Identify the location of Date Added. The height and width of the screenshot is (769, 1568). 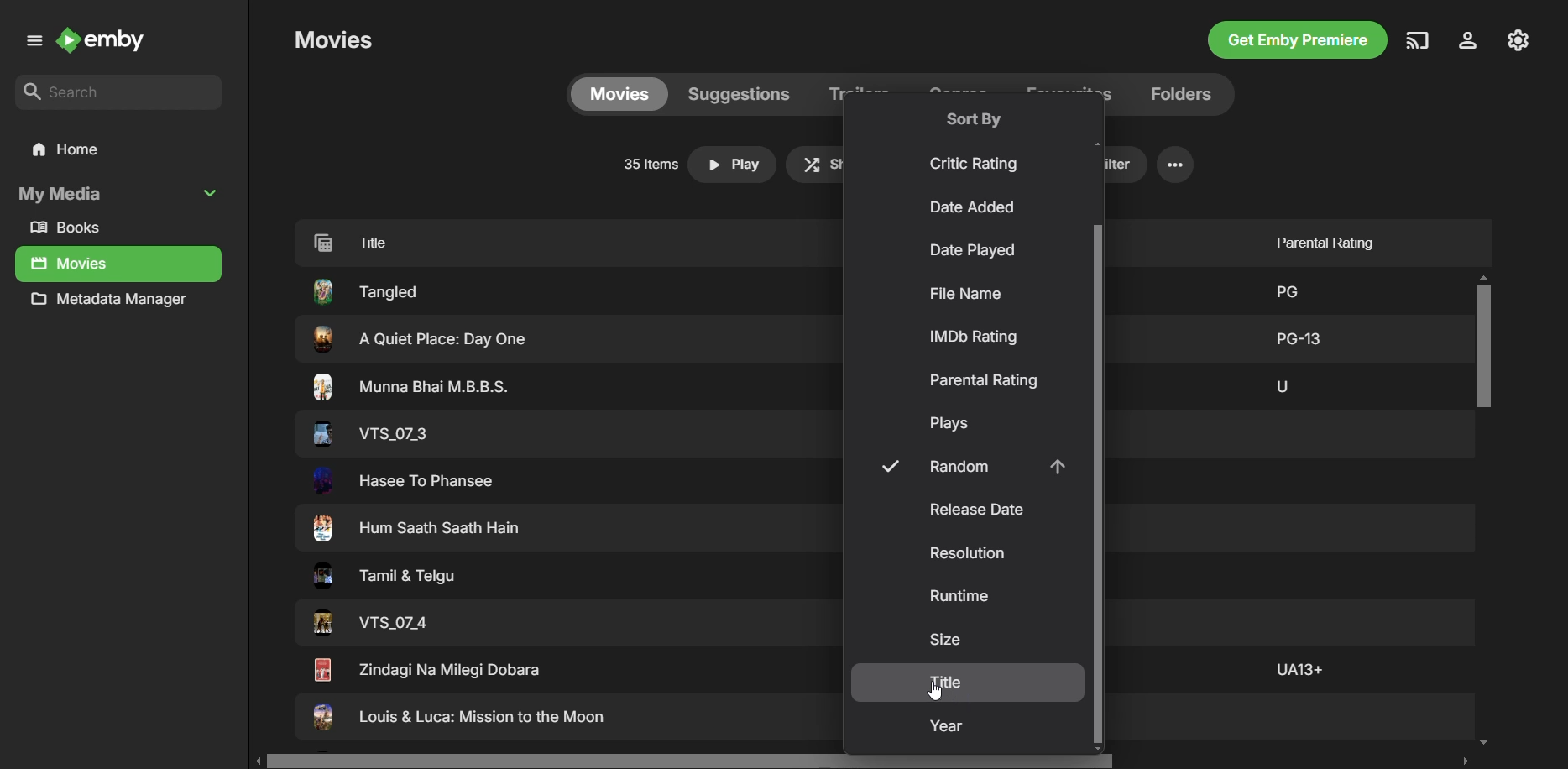
(975, 209).